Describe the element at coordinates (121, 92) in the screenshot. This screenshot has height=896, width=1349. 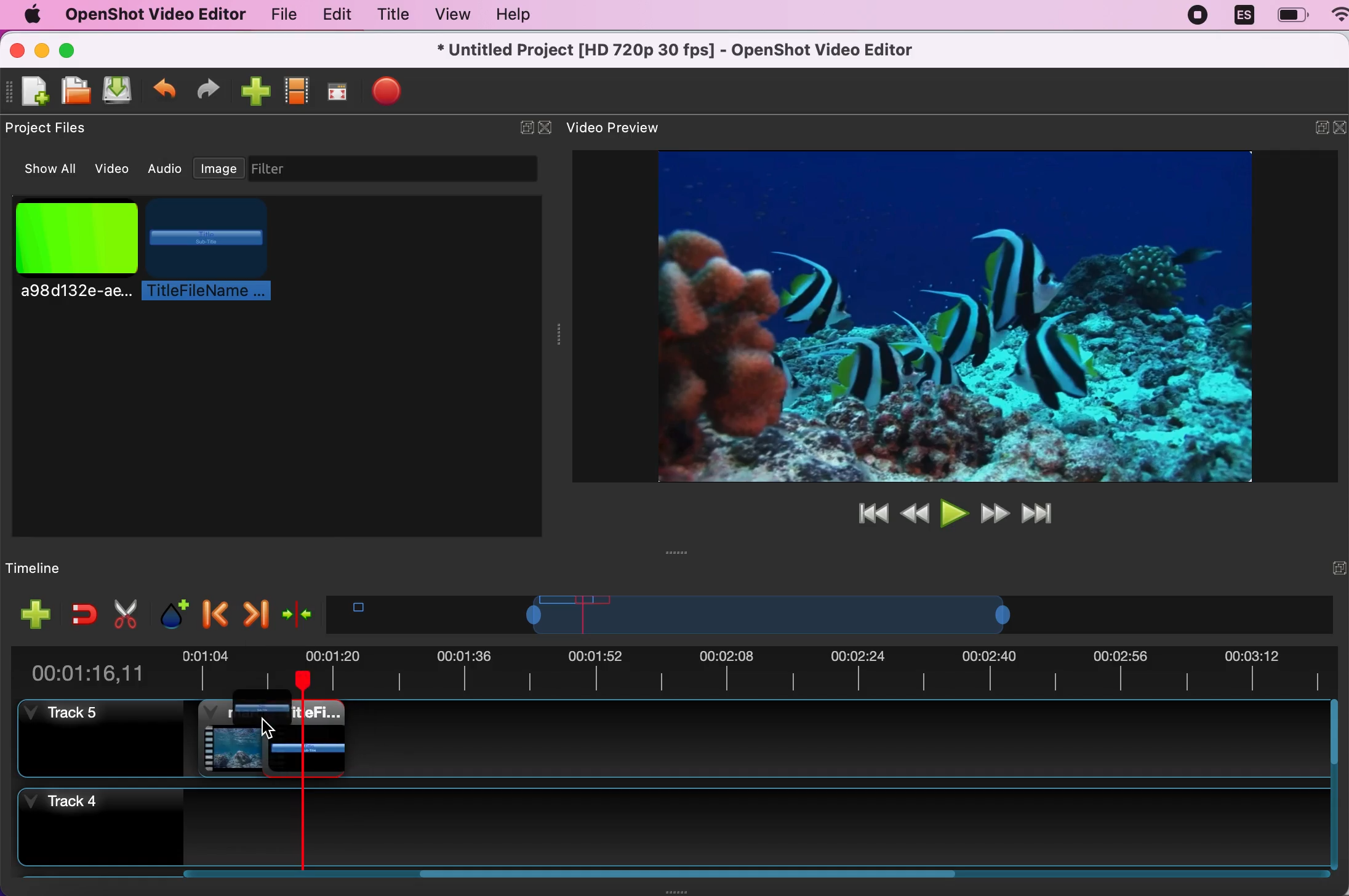
I see `save file` at that location.